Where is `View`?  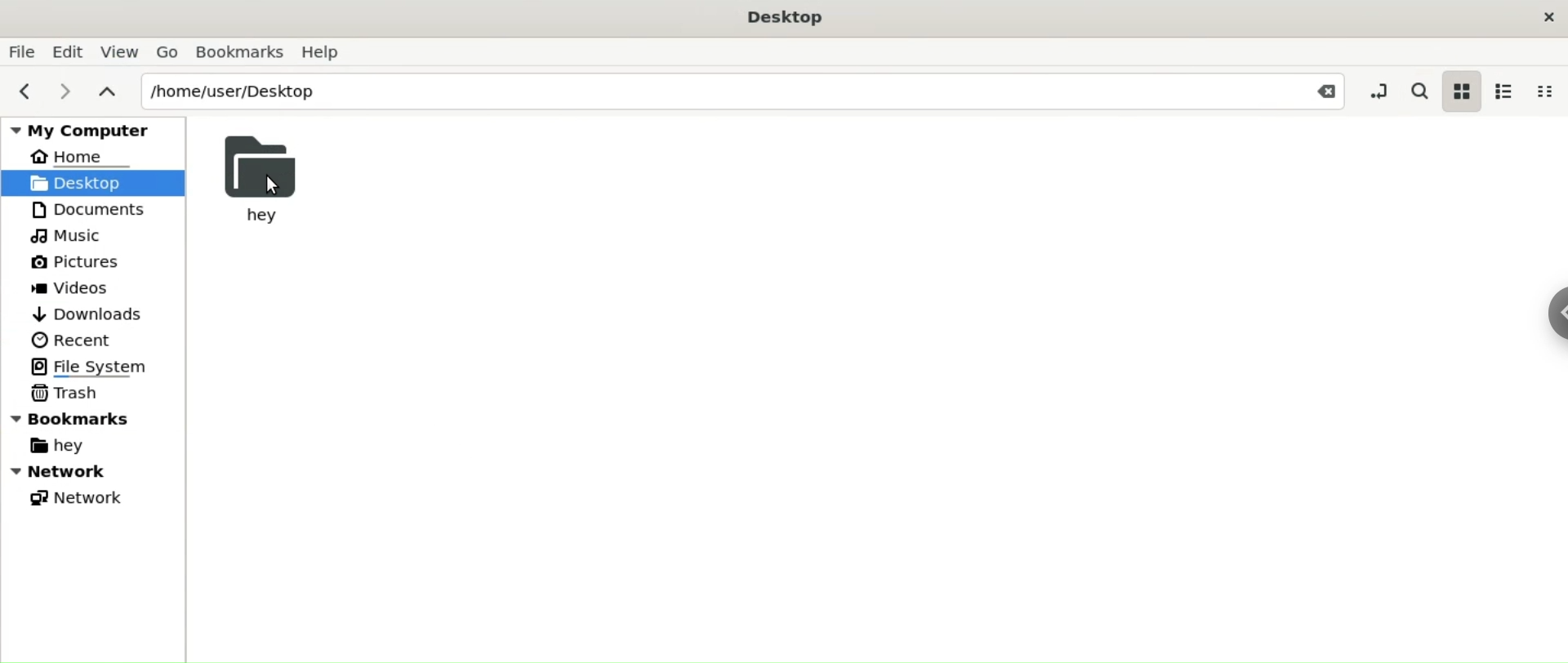 View is located at coordinates (120, 51).